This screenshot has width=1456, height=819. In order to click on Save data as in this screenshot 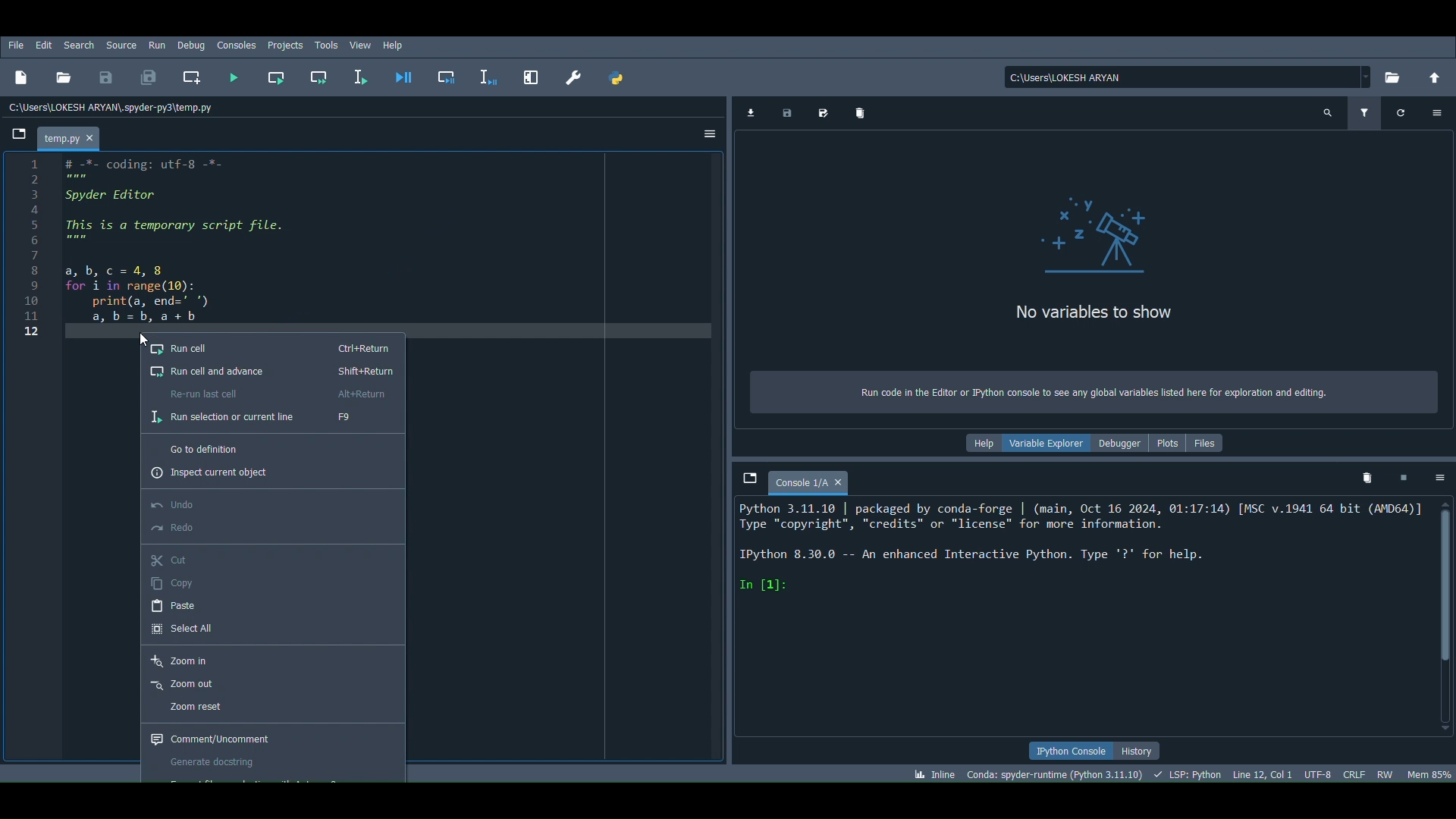, I will do `click(823, 114)`.